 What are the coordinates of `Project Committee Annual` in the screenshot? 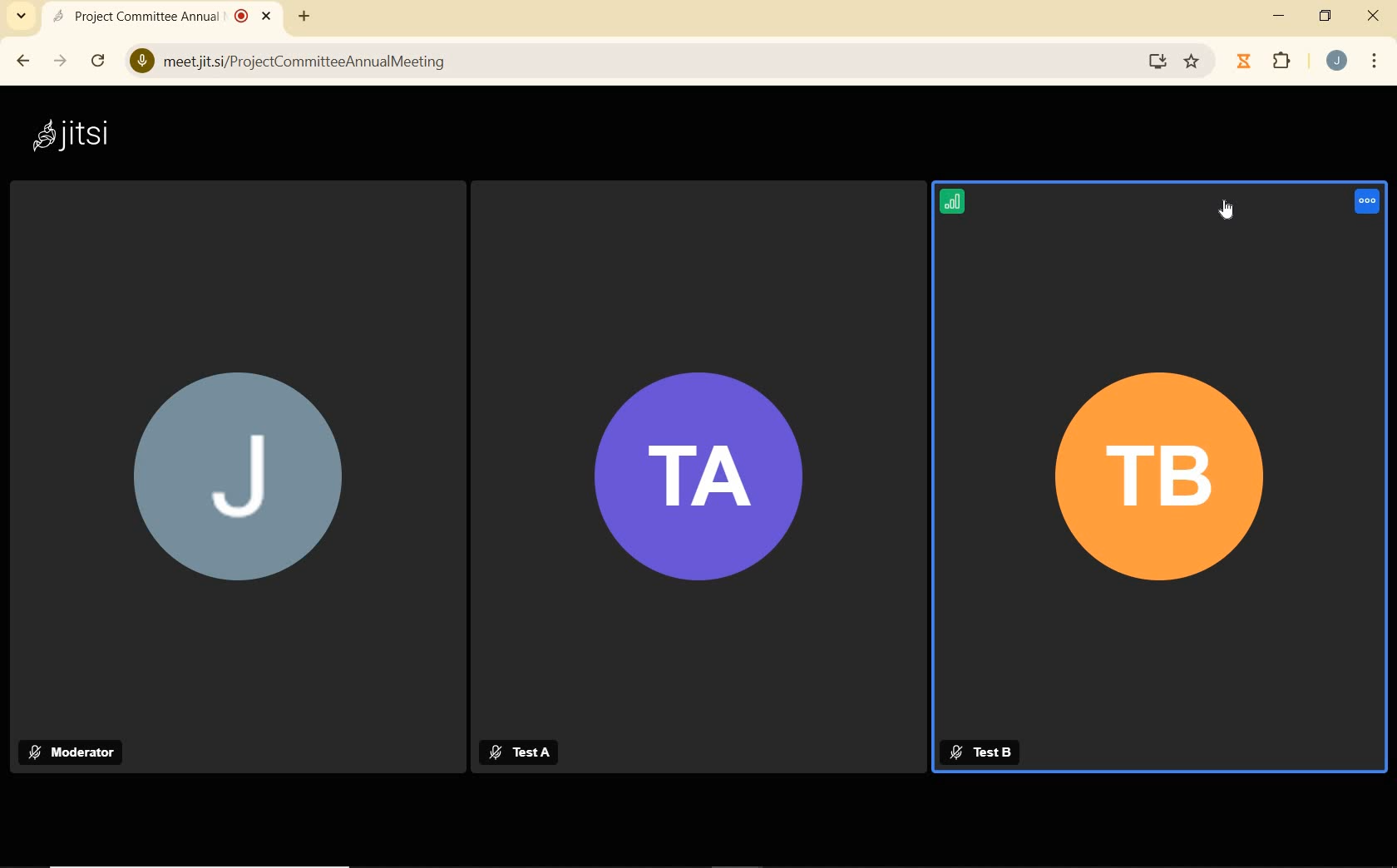 It's located at (152, 16).